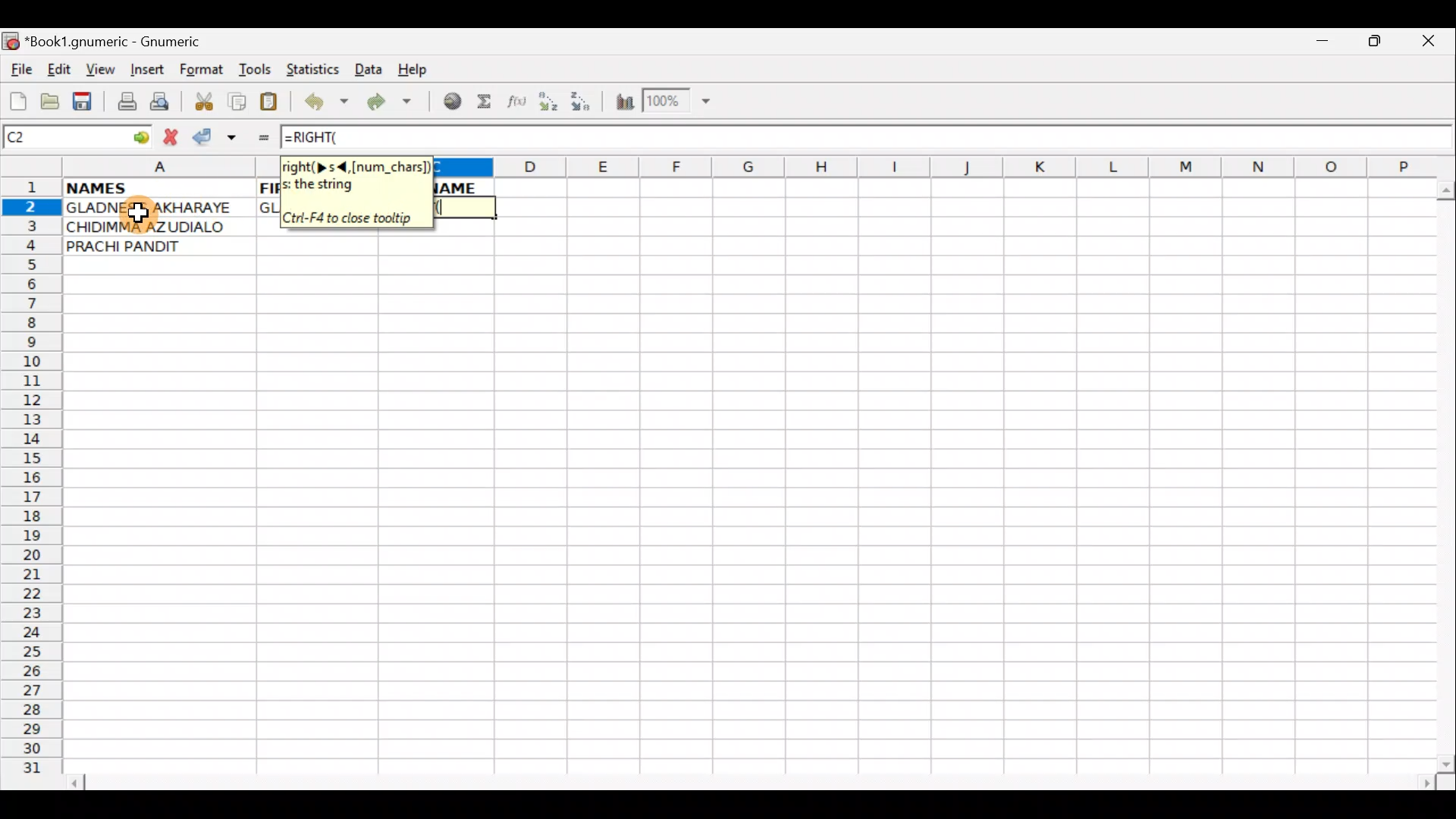 This screenshot has height=819, width=1456. What do you see at coordinates (146, 187) in the screenshot?
I see `NAMES` at bounding box center [146, 187].